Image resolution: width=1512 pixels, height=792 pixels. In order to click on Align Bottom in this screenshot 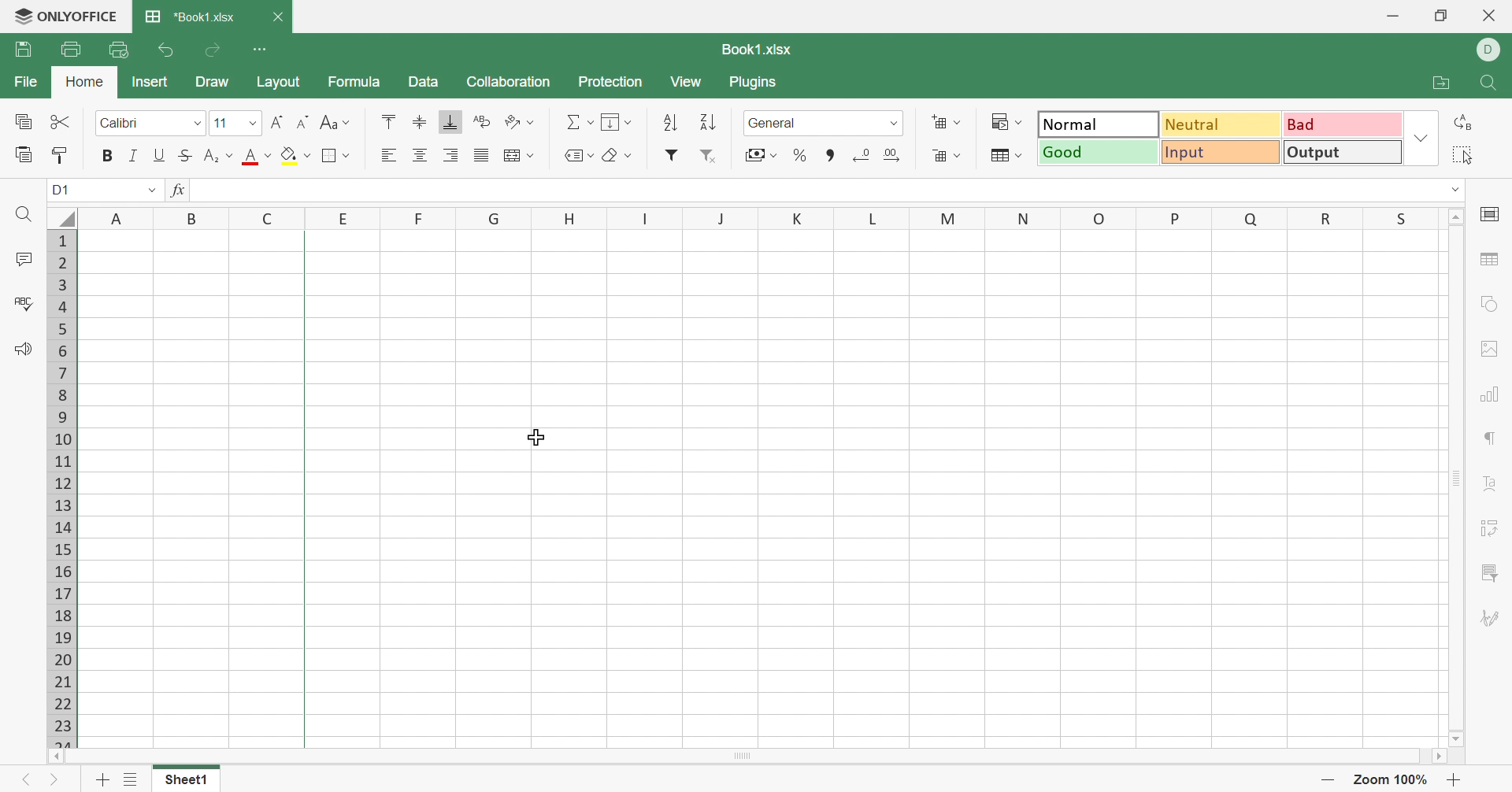, I will do `click(453, 124)`.